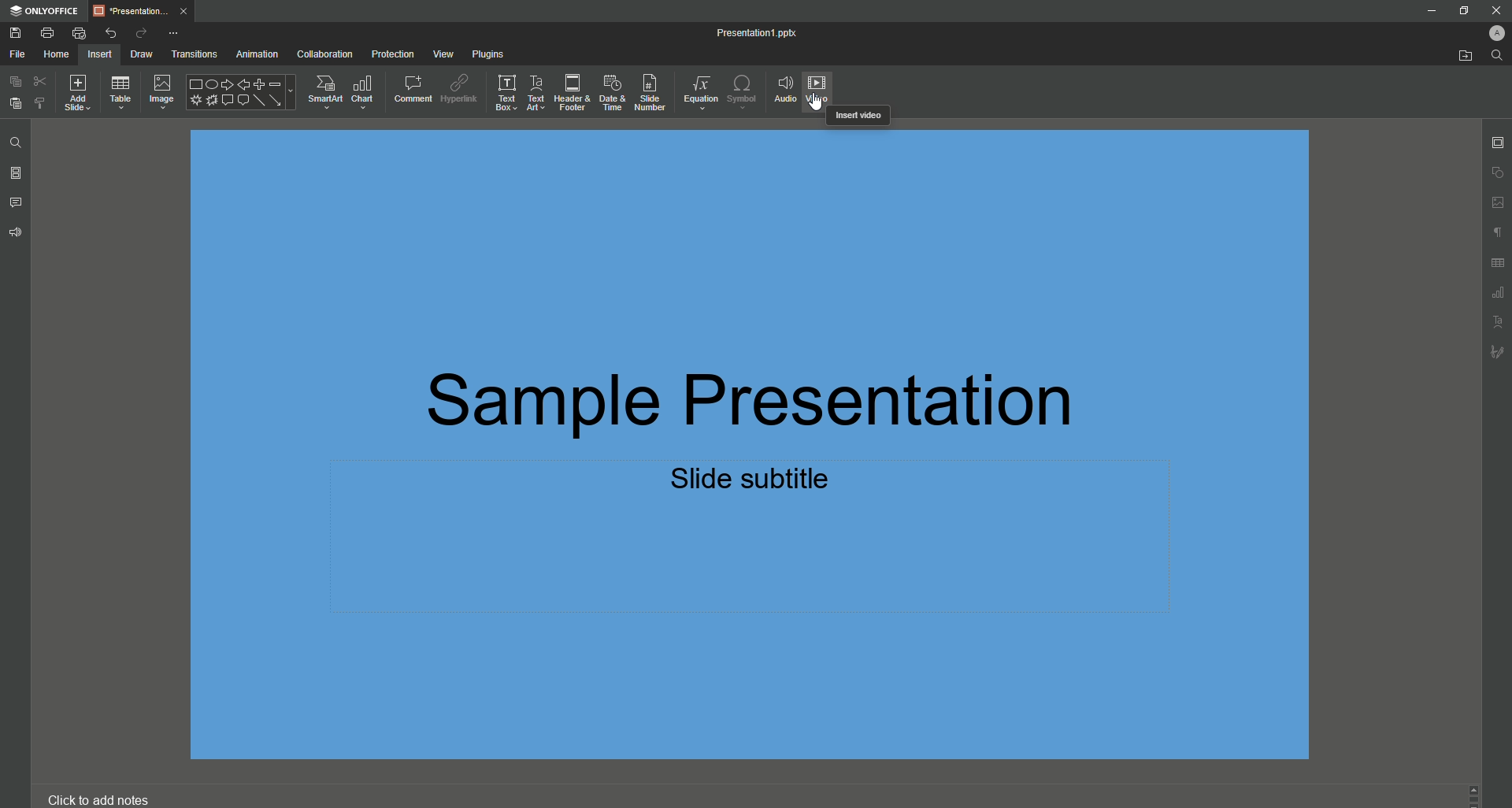 The height and width of the screenshot is (808, 1512). What do you see at coordinates (241, 94) in the screenshot?
I see `shape options` at bounding box center [241, 94].